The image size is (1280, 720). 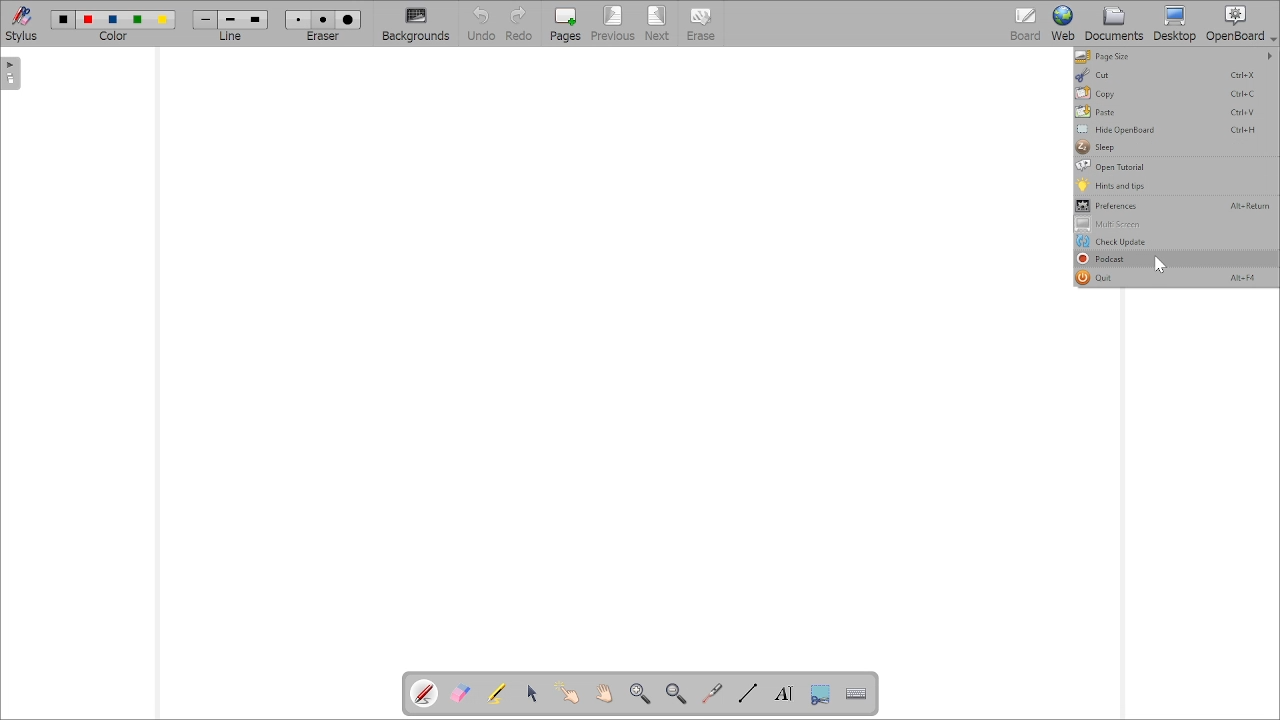 I want to click on , so click(x=1177, y=23).